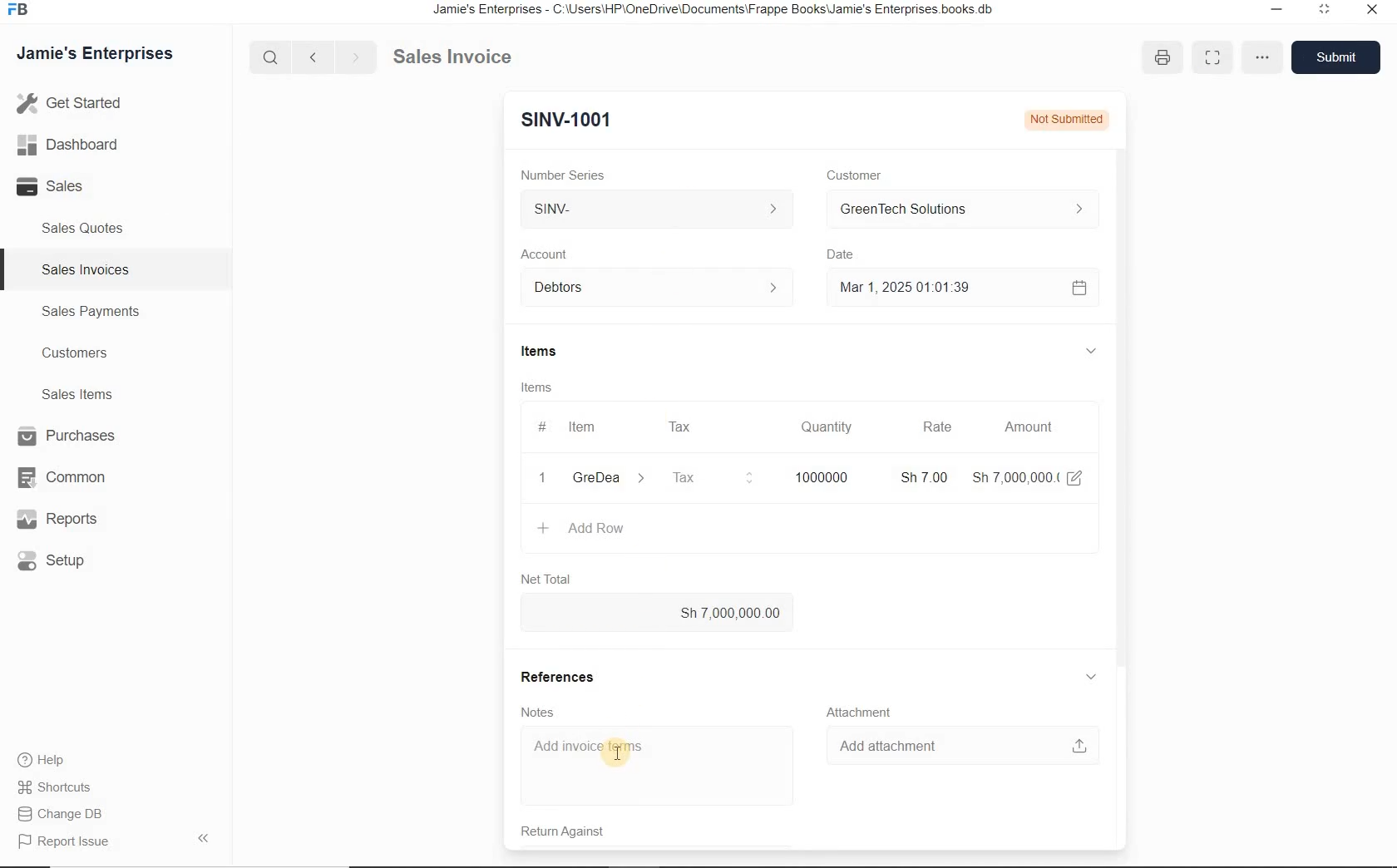  What do you see at coordinates (921, 476) in the screenshot?
I see `Sh 7.00` at bounding box center [921, 476].